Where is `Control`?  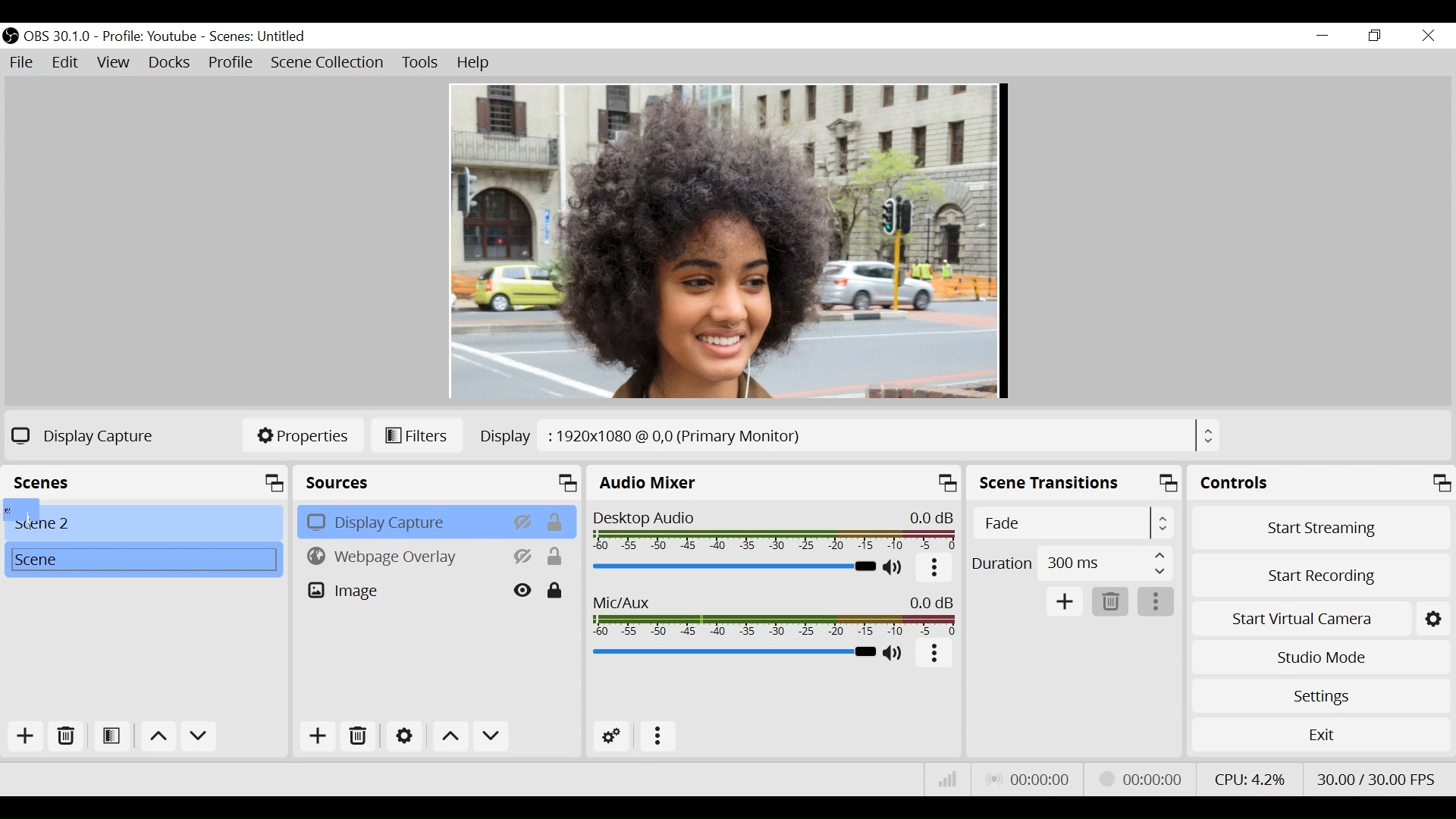 Control is located at coordinates (1320, 482).